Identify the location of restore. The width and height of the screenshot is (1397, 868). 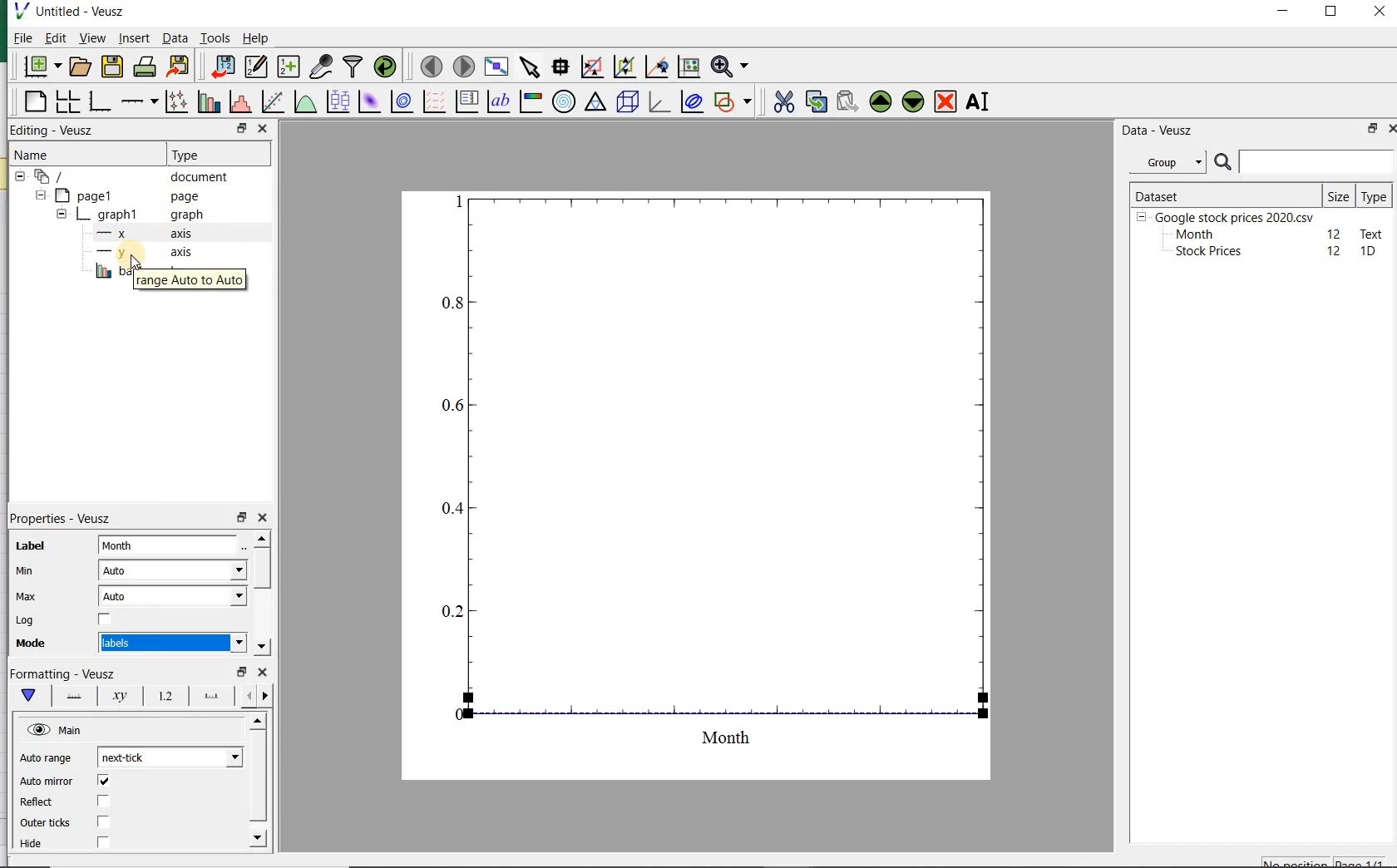
(241, 672).